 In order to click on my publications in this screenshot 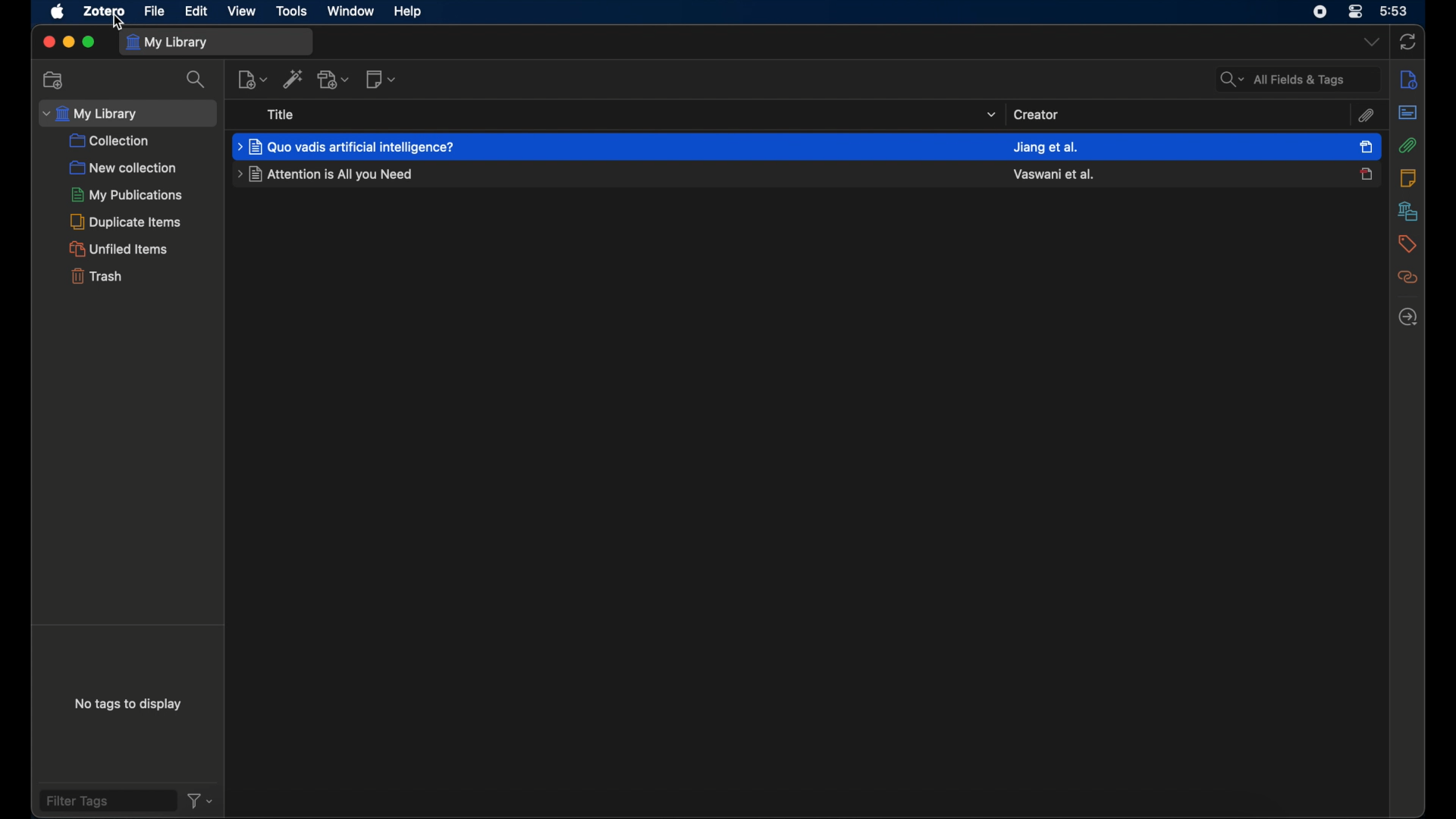, I will do `click(129, 195)`.